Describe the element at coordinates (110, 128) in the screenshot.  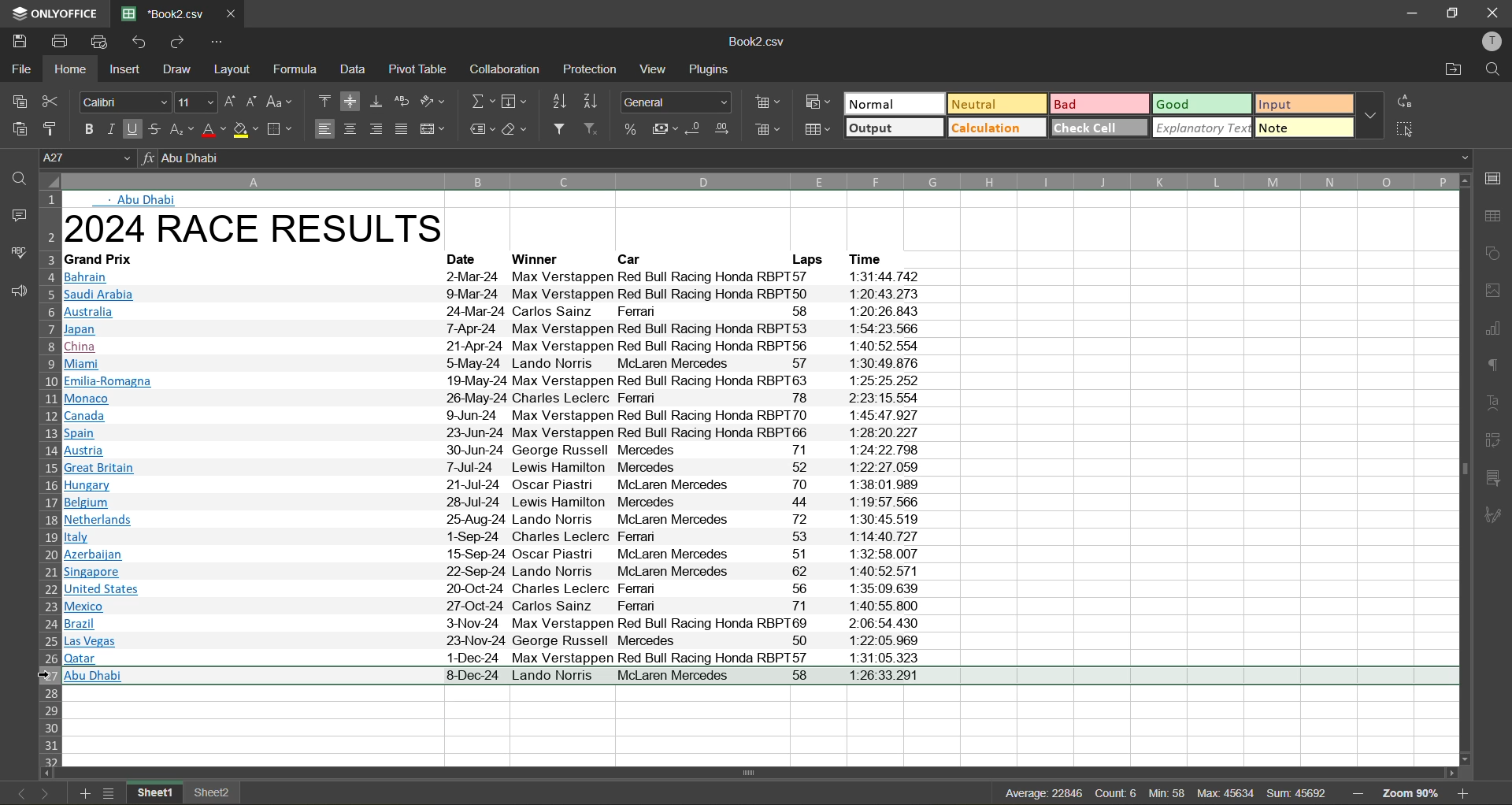
I see `italic` at that location.